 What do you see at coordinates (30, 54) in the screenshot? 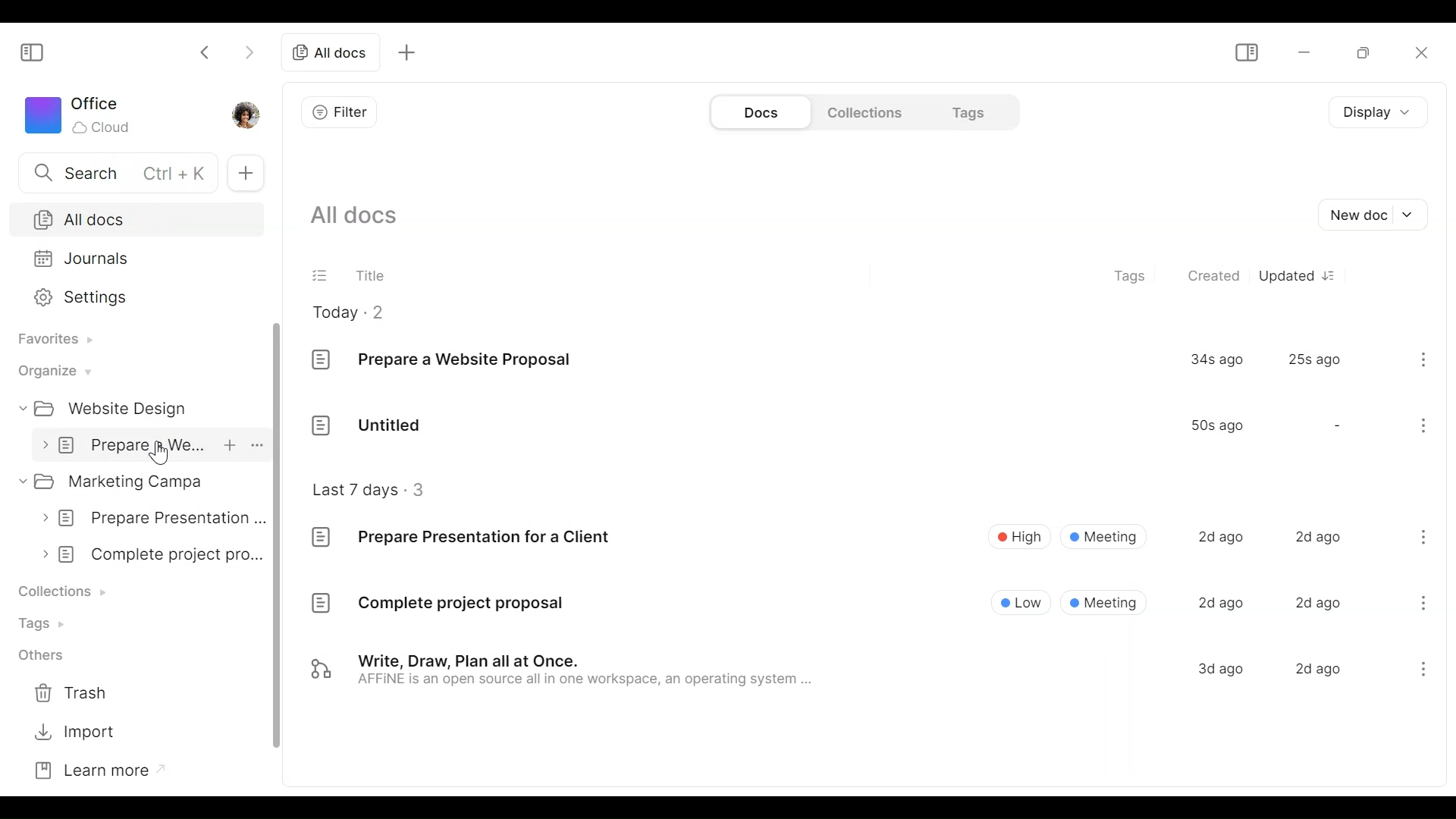
I see `Show/Hide Sidebar` at bounding box center [30, 54].